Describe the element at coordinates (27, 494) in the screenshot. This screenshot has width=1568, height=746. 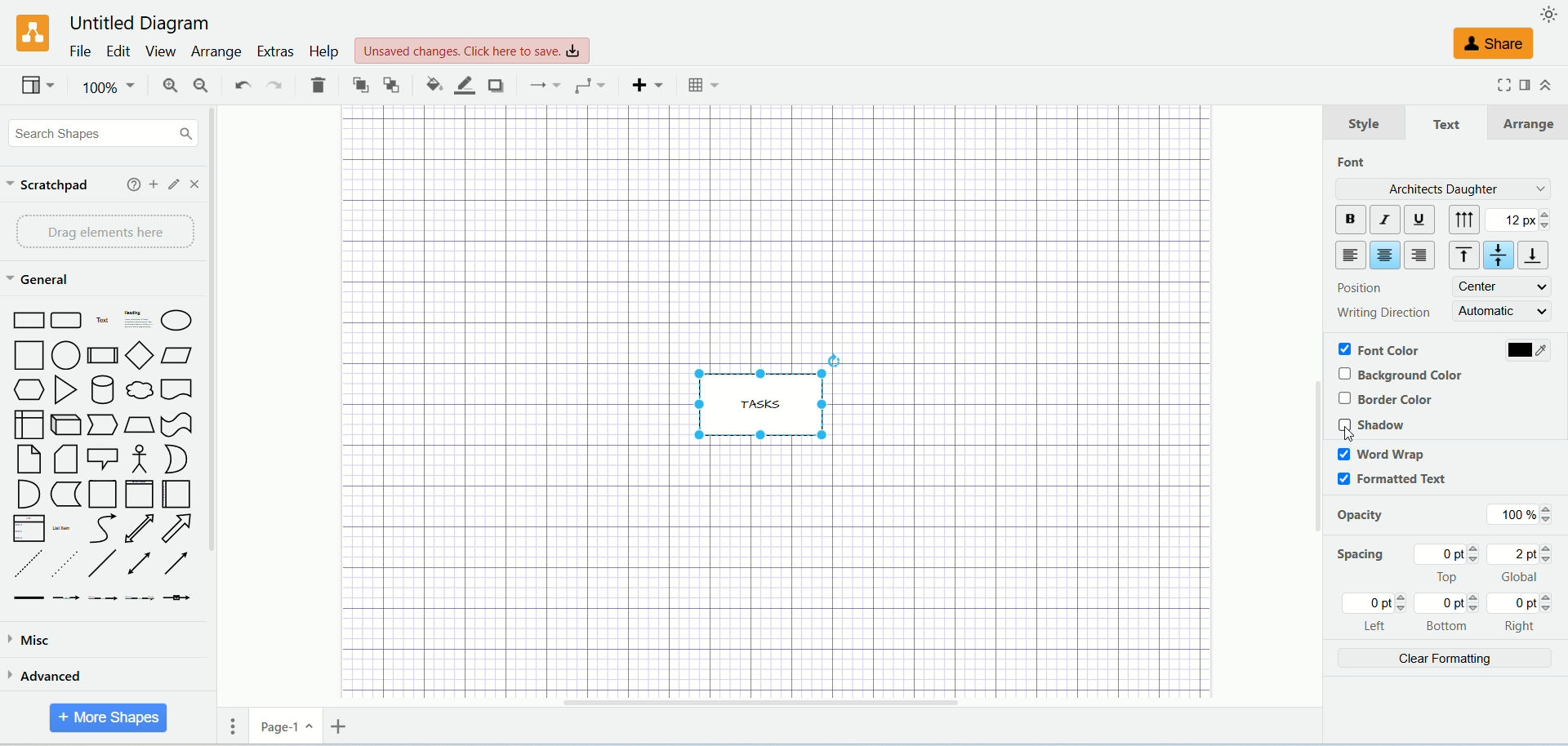
I see `And` at that location.